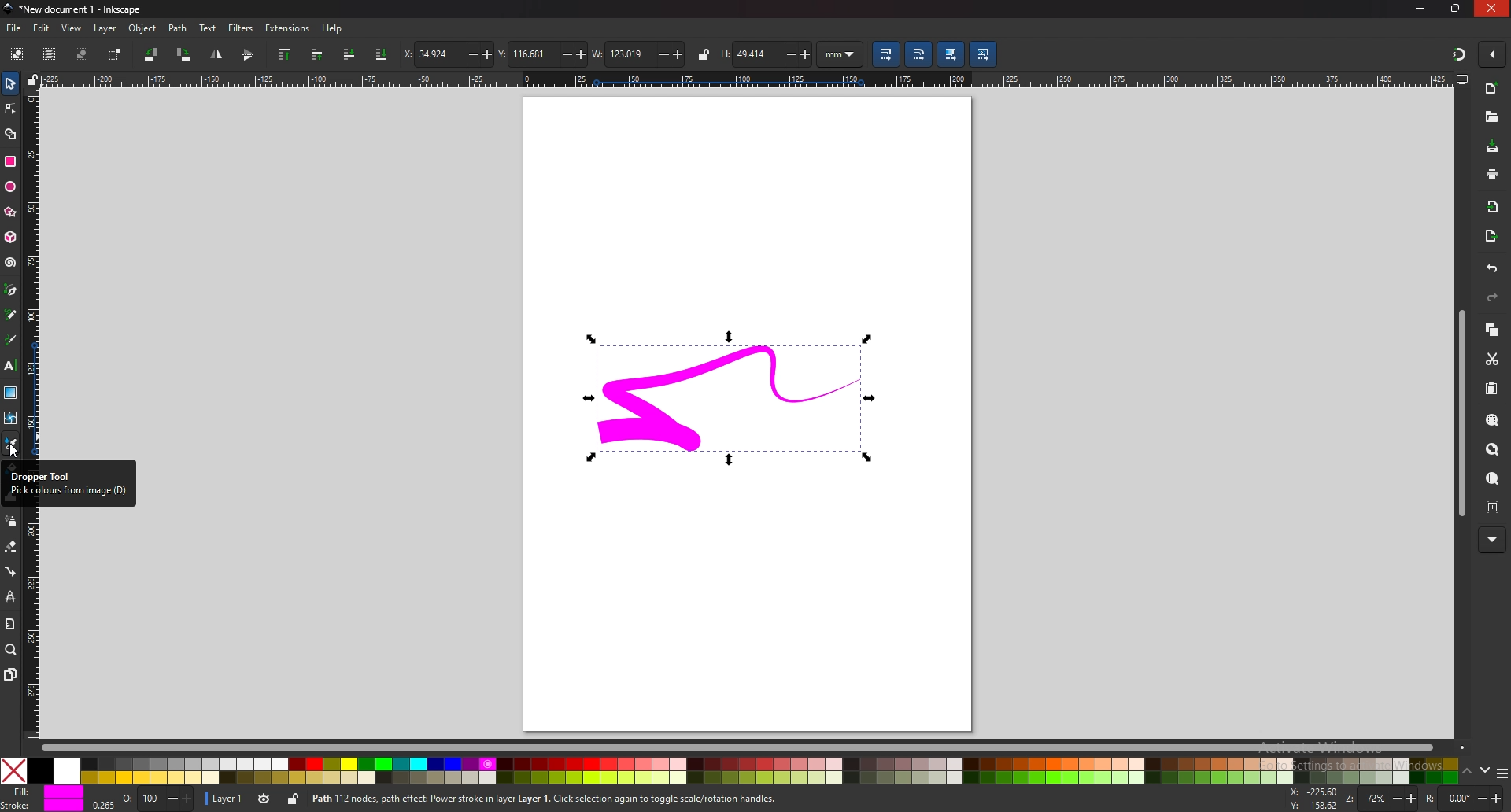 The height and width of the screenshot is (812, 1511). What do you see at coordinates (1494, 360) in the screenshot?
I see `cut` at bounding box center [1494, 360].